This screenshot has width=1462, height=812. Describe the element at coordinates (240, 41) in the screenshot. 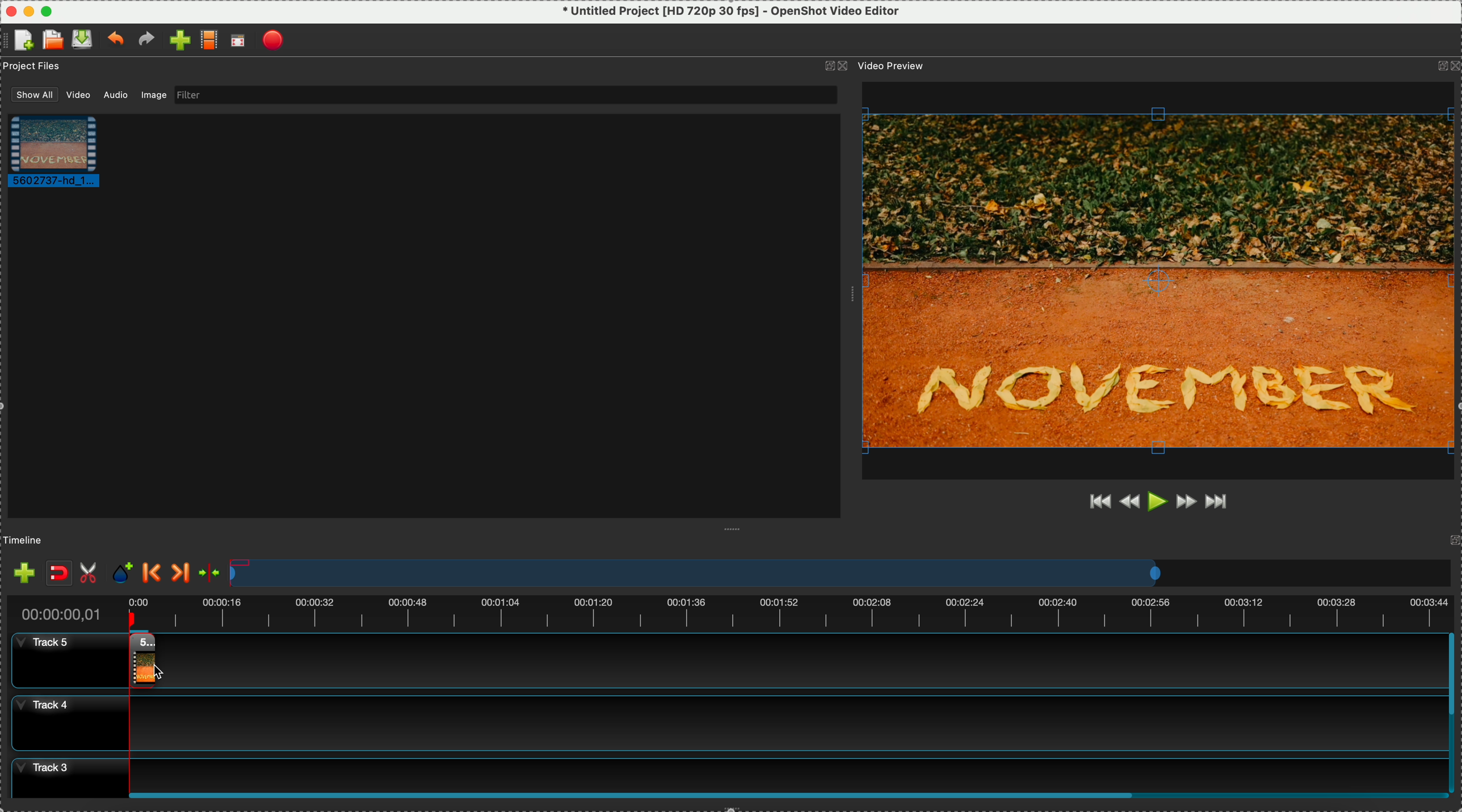

I see `full screen` at that location.